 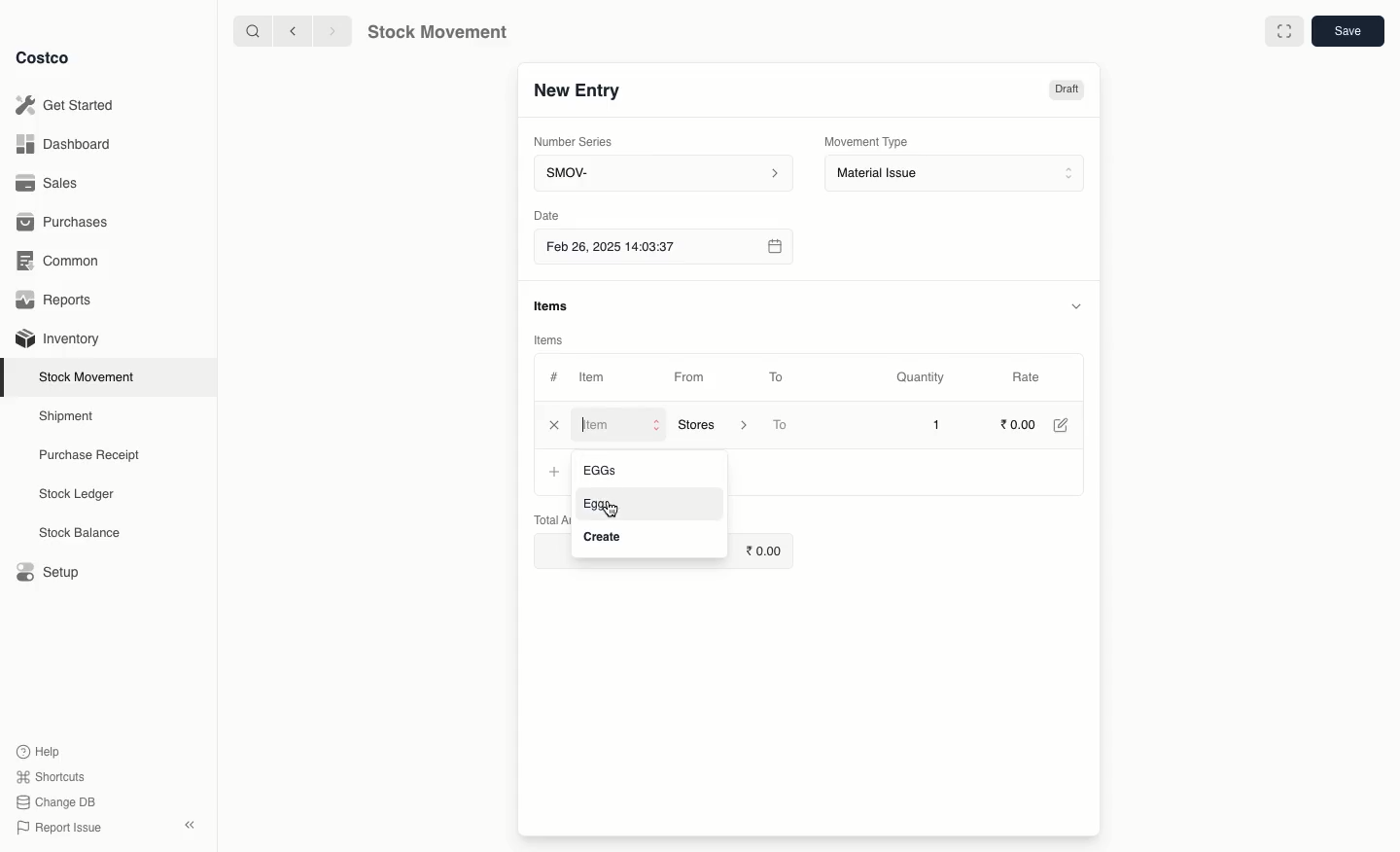 I want to click on Stock Movement, so click(x=90, y=376).